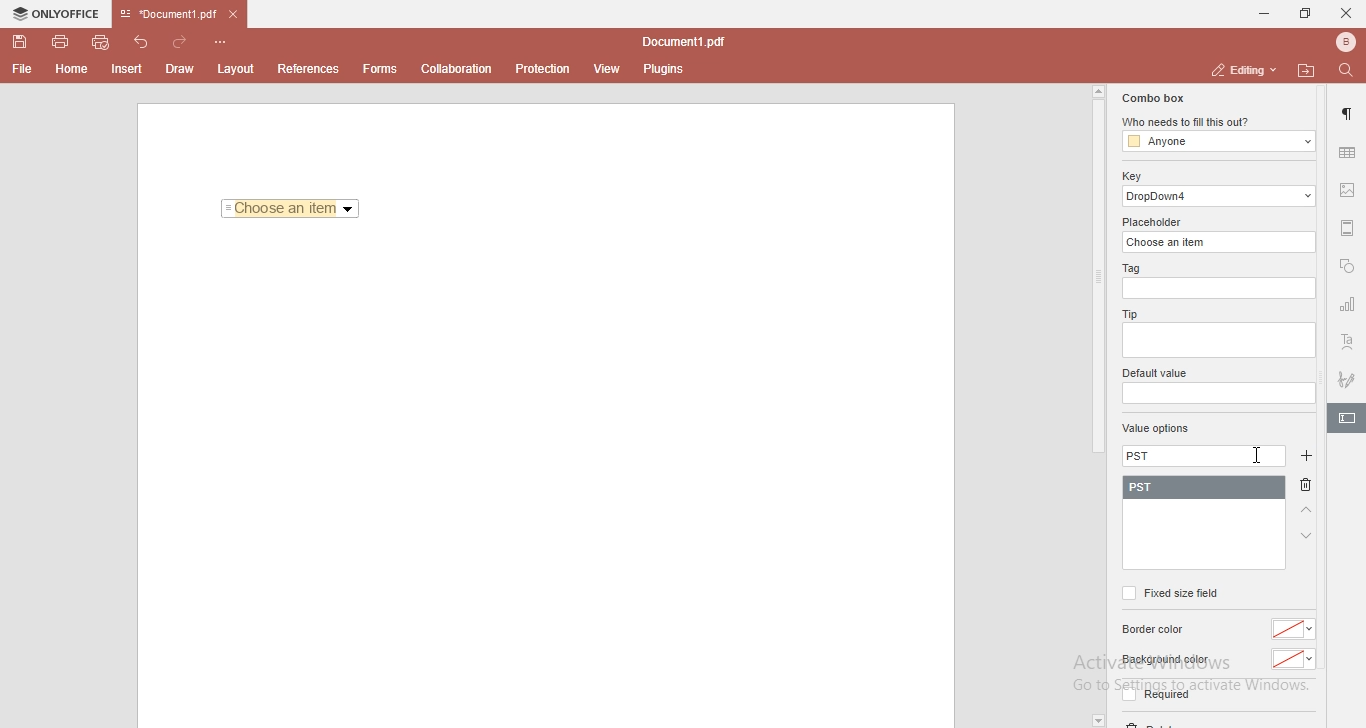  Describe the element at coordinates (239, 69) in the screenshot. I see `layout` at that location.